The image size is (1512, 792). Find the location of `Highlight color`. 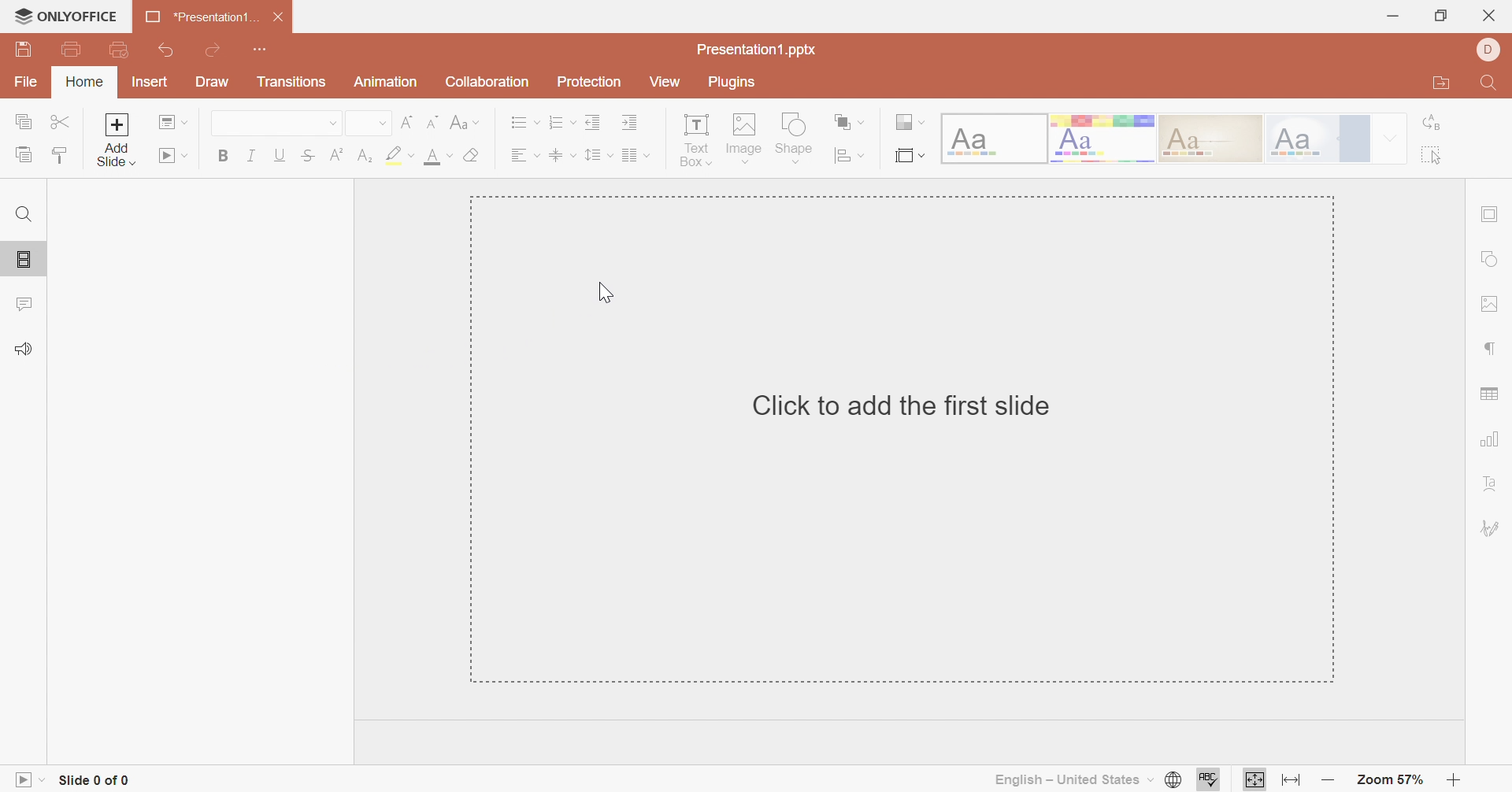

Highlight color is located at coordinates (390, 154).